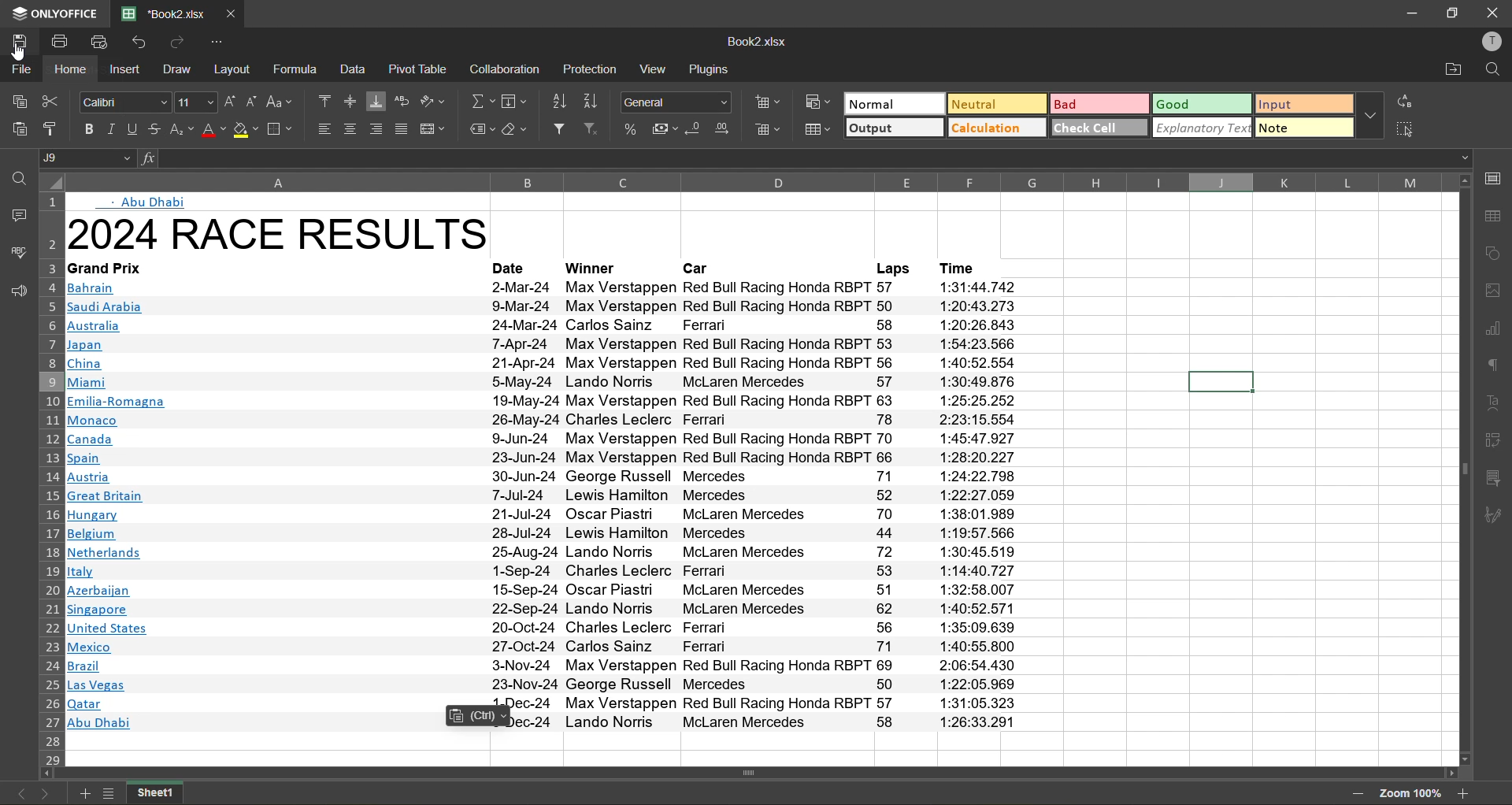 The height and width of the screenshot is (805, 1512). Describe the element at coordinates (1303, 127) in the screenshot. I see `note` at that location.